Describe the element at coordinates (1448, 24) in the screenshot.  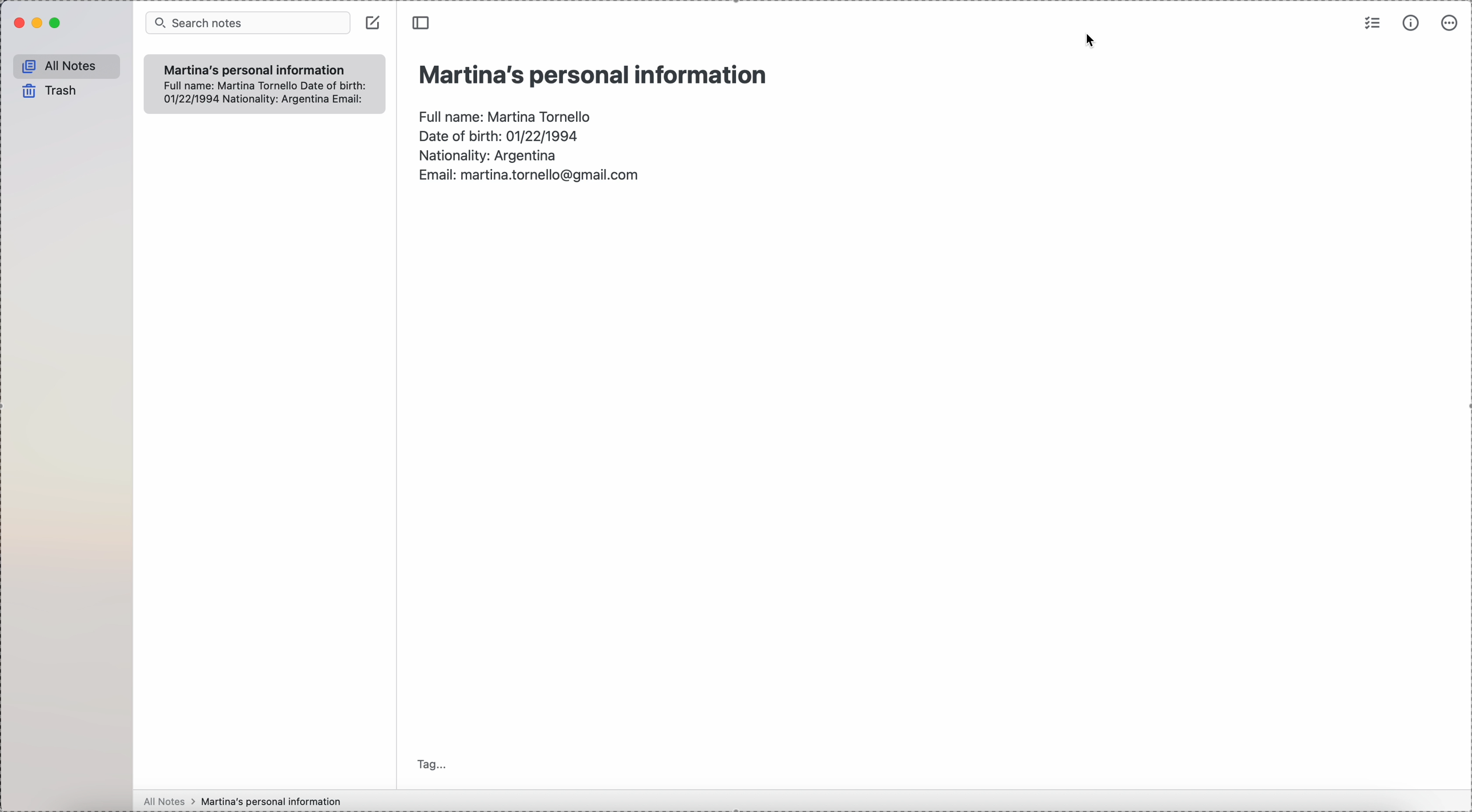
I see `more options` at that location.